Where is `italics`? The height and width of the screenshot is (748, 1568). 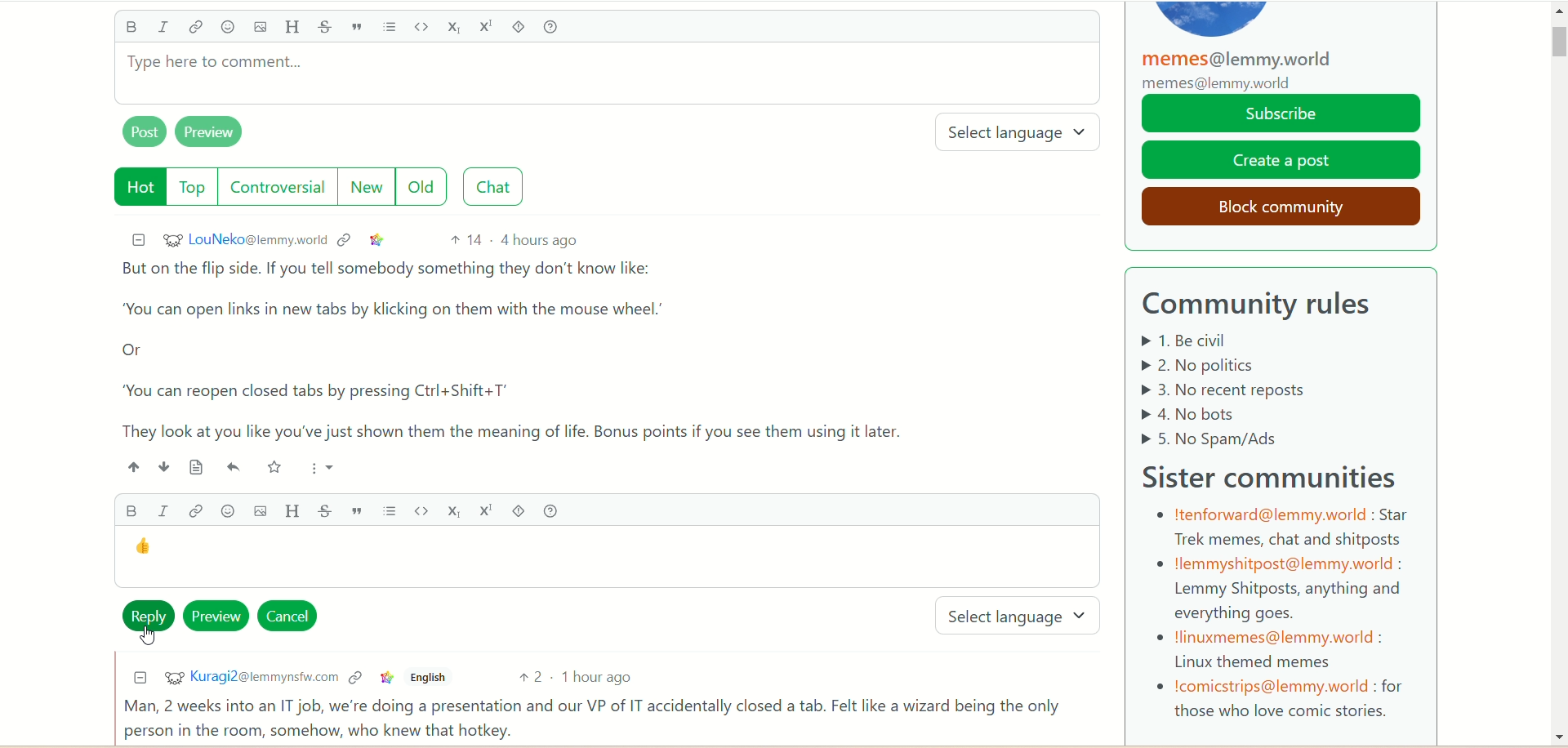 italics is located at coordinates (161, 510).